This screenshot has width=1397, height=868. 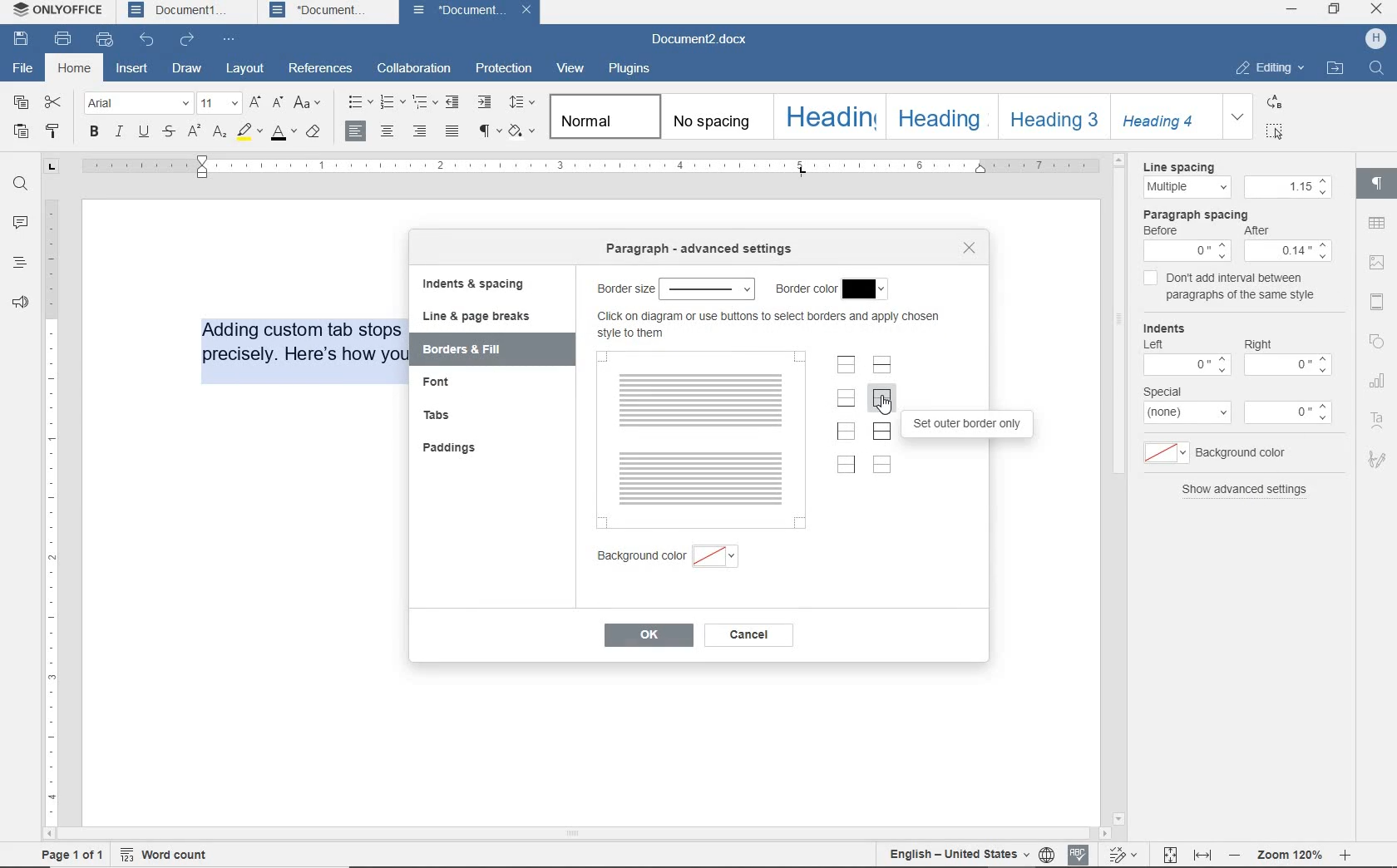 What do you see at coordinates (954, 854) in the screenshot?
I see `track changes` at bounding box center [954, 854].